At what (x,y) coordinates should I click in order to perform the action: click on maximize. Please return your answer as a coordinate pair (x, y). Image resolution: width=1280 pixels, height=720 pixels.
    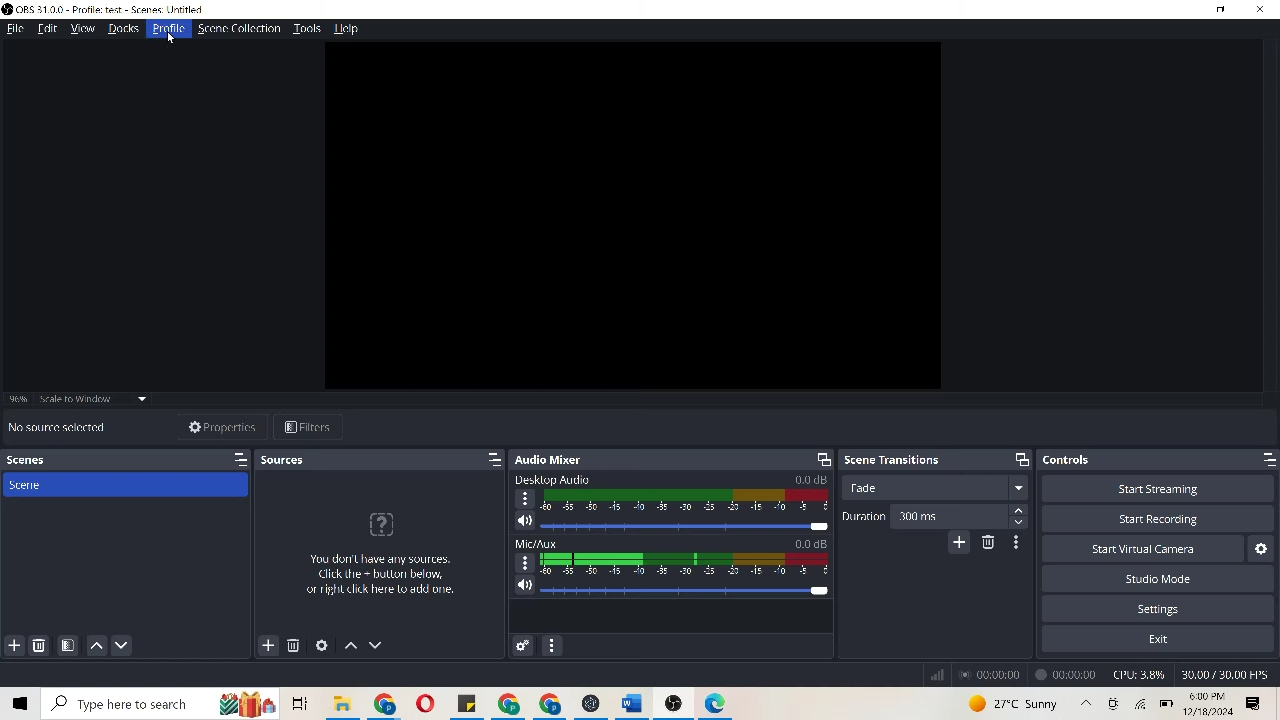
    Looking at the image, I should click on (1261, 459).